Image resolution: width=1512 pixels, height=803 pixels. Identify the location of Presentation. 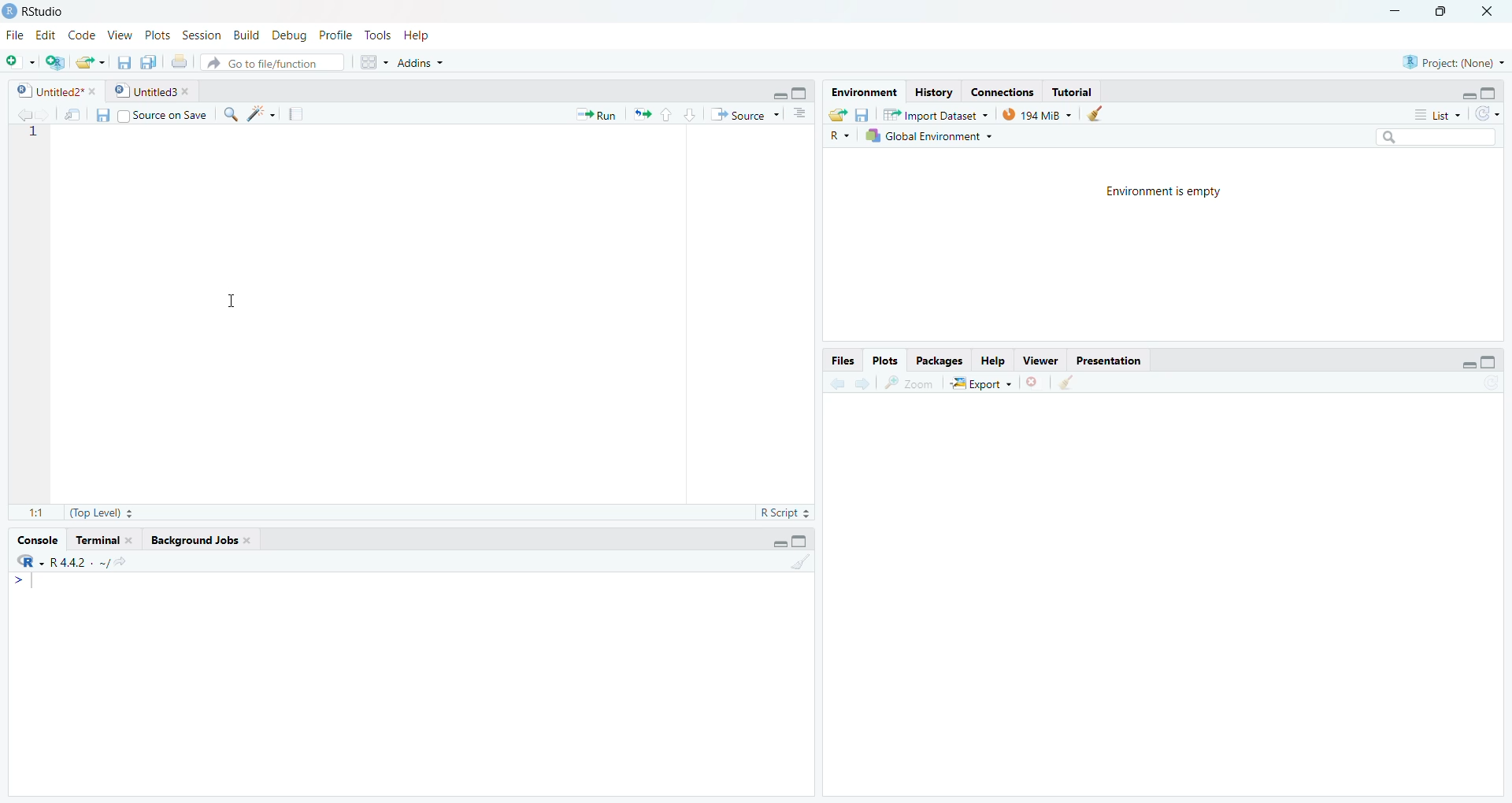
(1110, 359).